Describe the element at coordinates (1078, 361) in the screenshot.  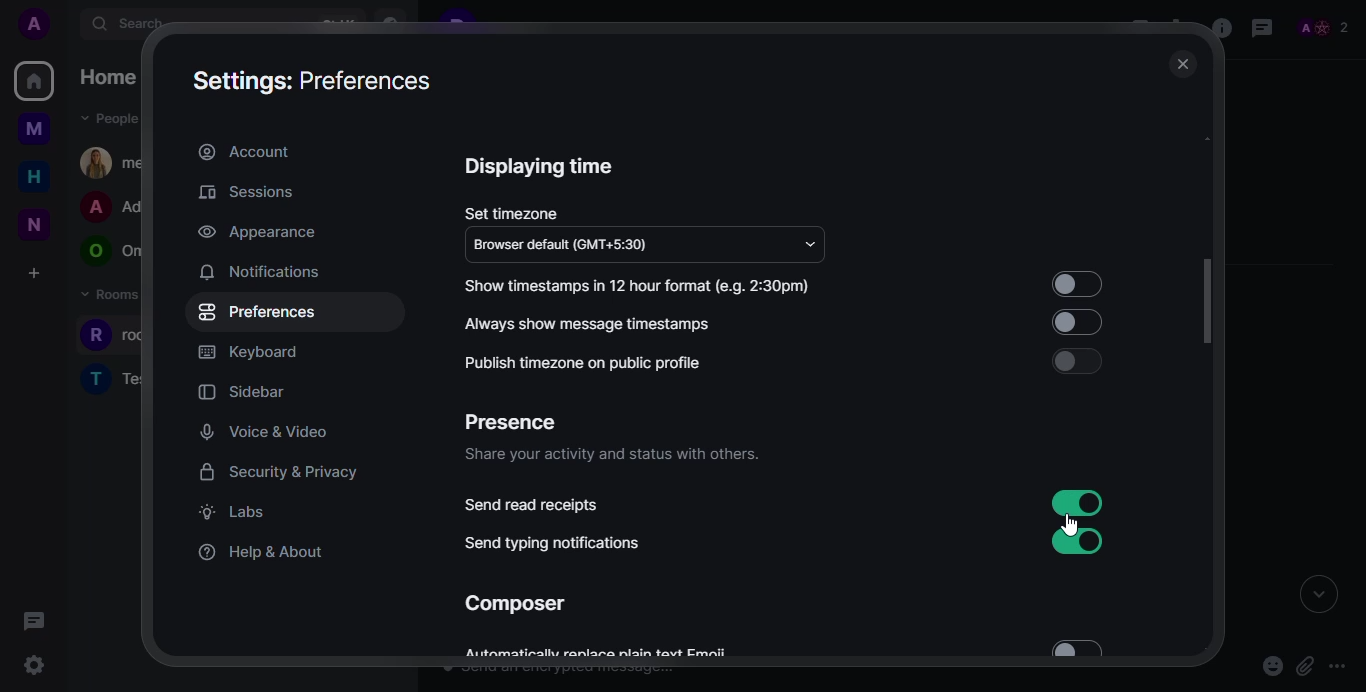
I see `select` at that location.